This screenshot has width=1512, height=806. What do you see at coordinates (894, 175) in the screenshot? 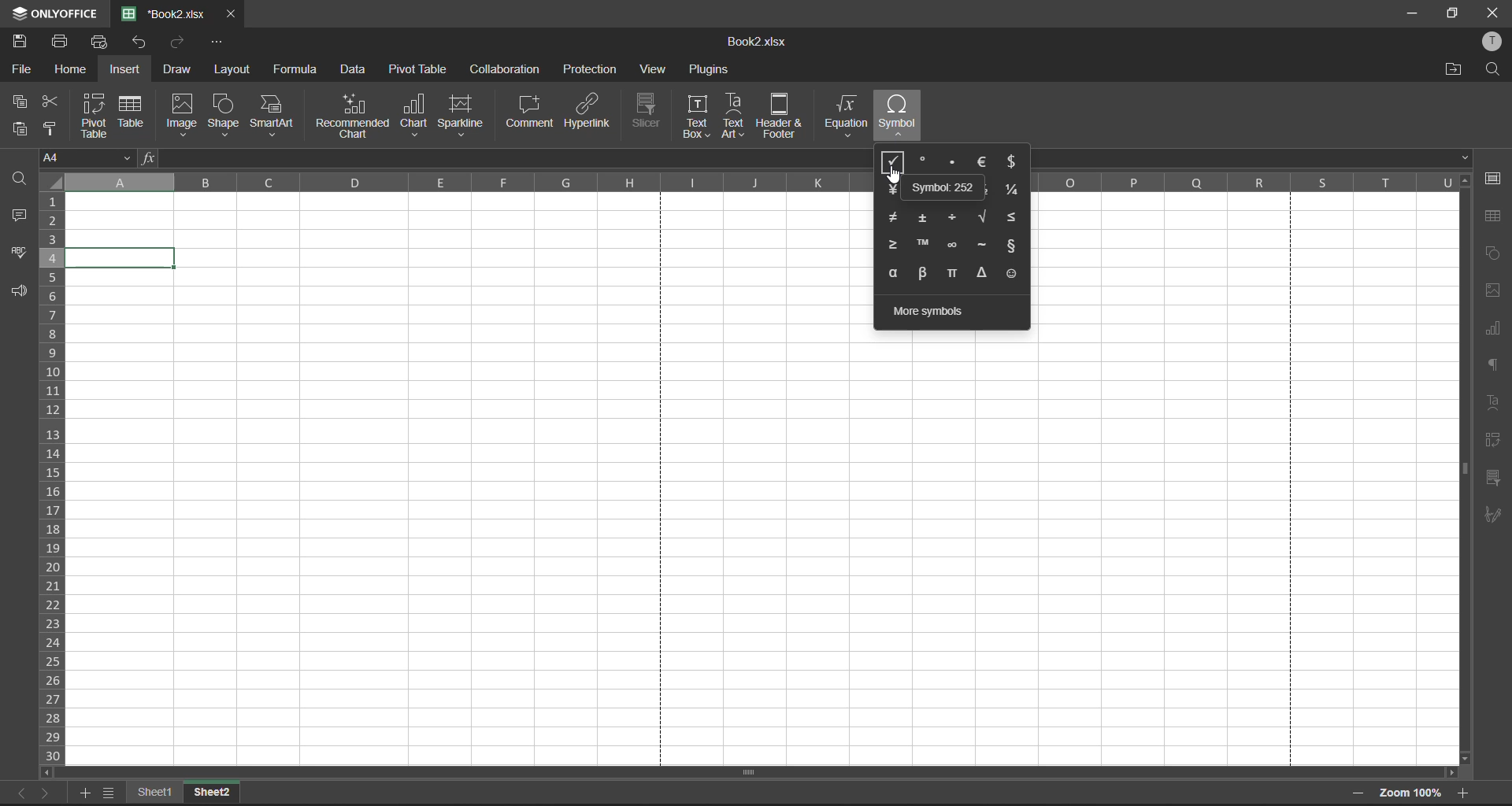
I see `cursor` at bounding box center [894, 175].